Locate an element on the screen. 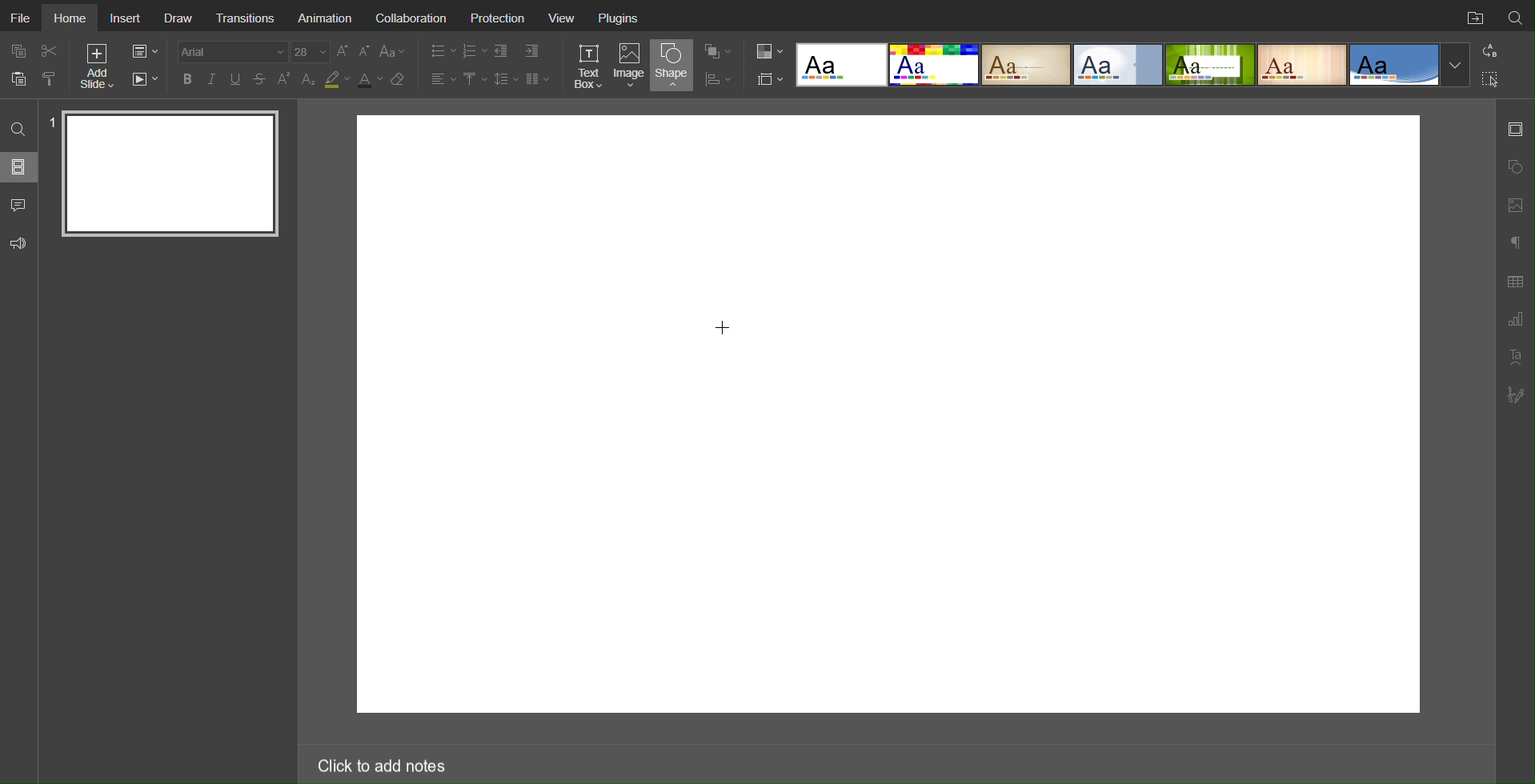  Slide Settings is located at coordinates (143, 52).